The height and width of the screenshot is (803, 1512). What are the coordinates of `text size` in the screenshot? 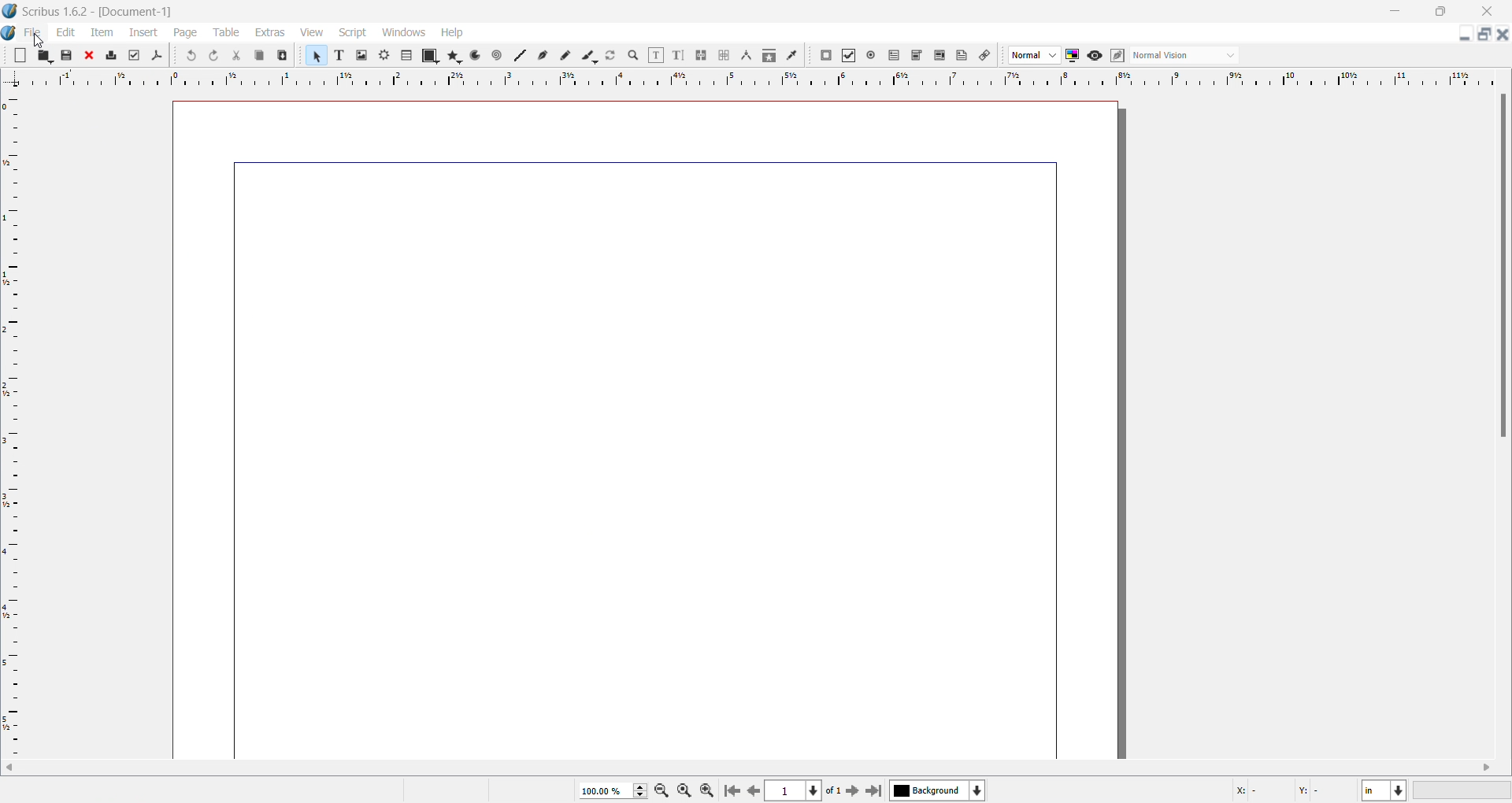 It's located at (340, 56).